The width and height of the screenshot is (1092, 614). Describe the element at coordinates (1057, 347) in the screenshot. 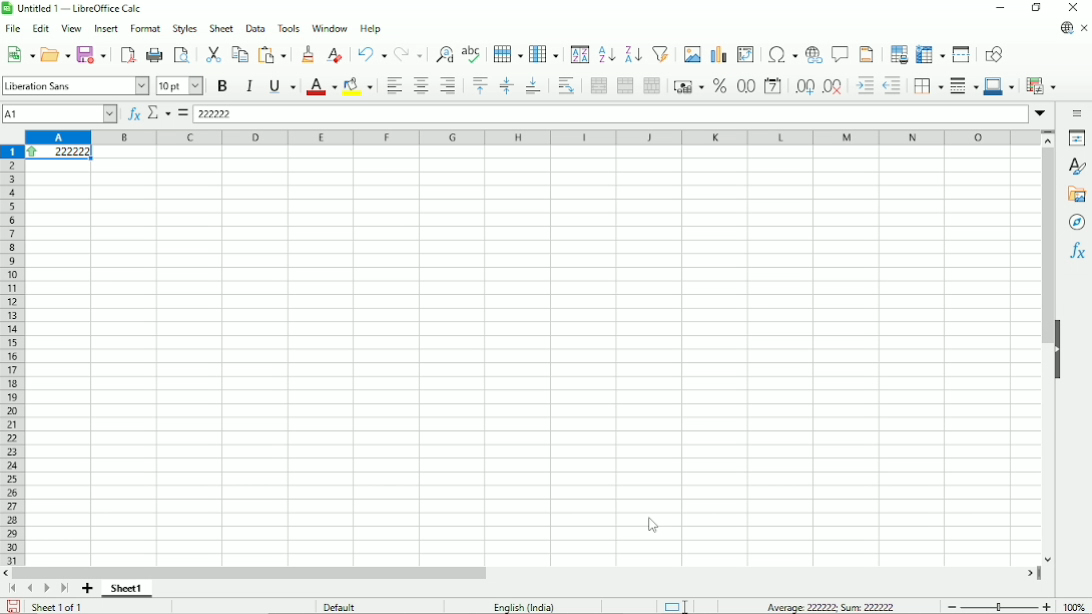

I see `Hide` at that location.